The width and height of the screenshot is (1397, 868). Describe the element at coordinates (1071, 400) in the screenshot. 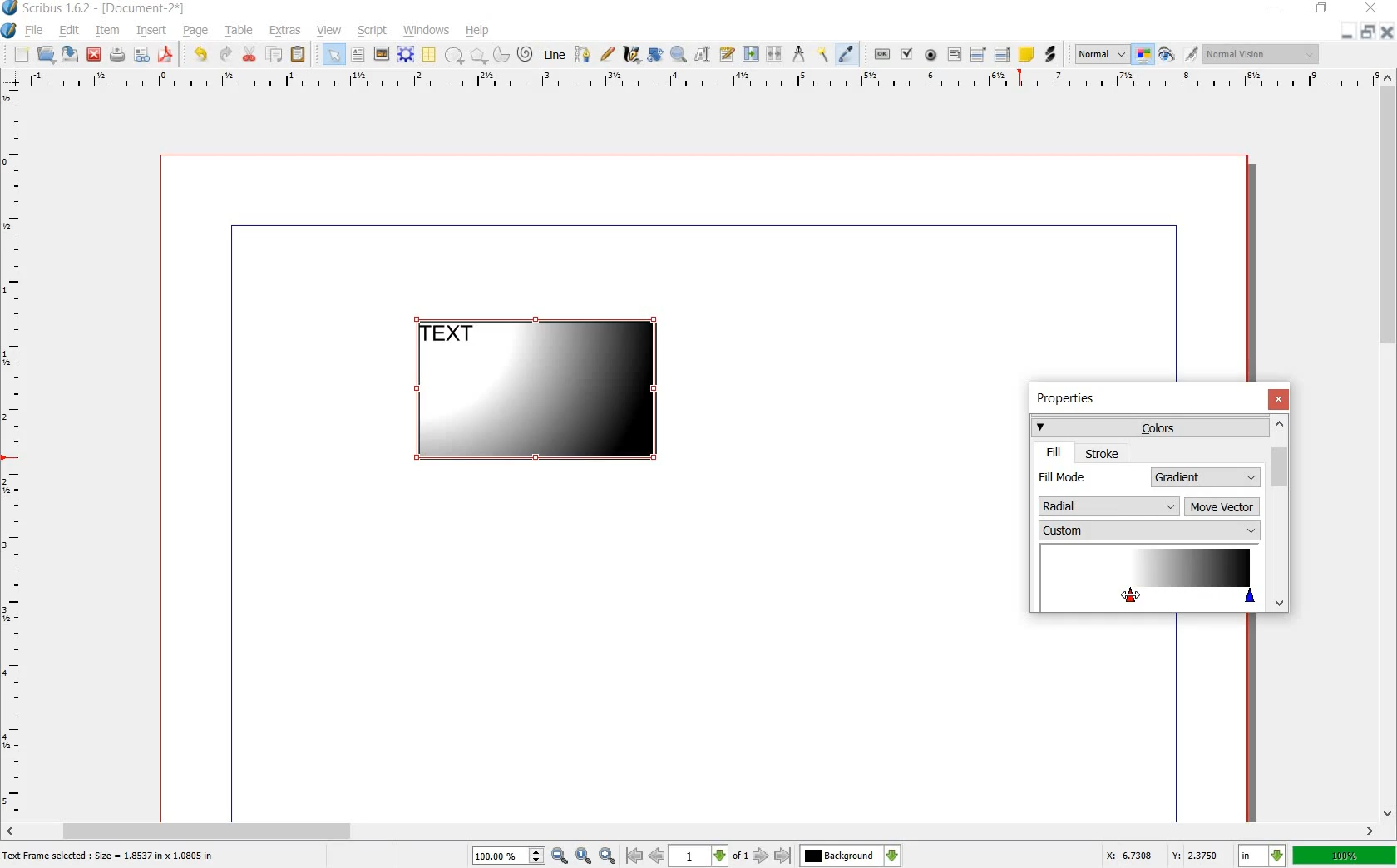

I see `properties` at that location.